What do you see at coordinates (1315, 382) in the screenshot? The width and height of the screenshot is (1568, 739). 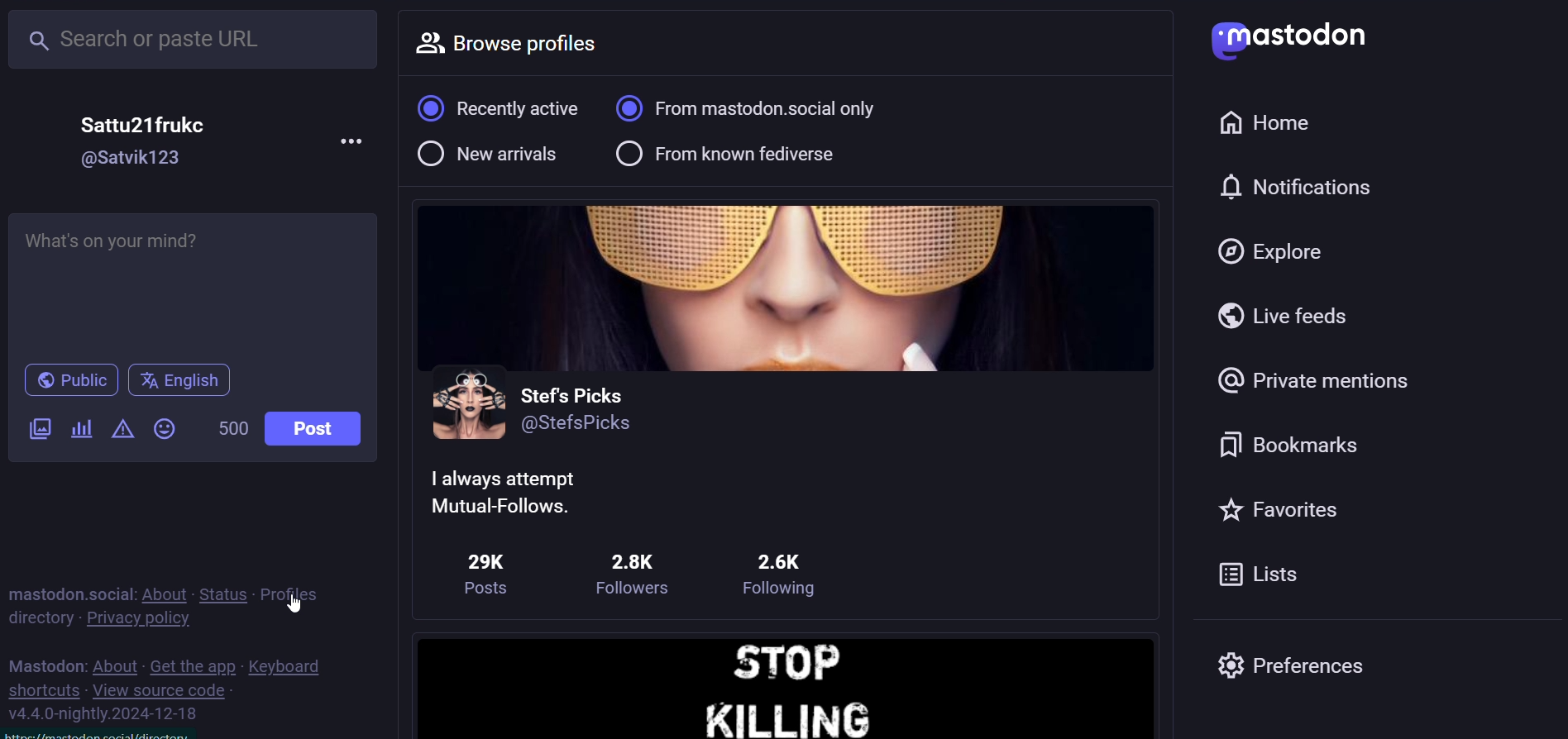 I see `private mention` at bounding box center [1315, 382].